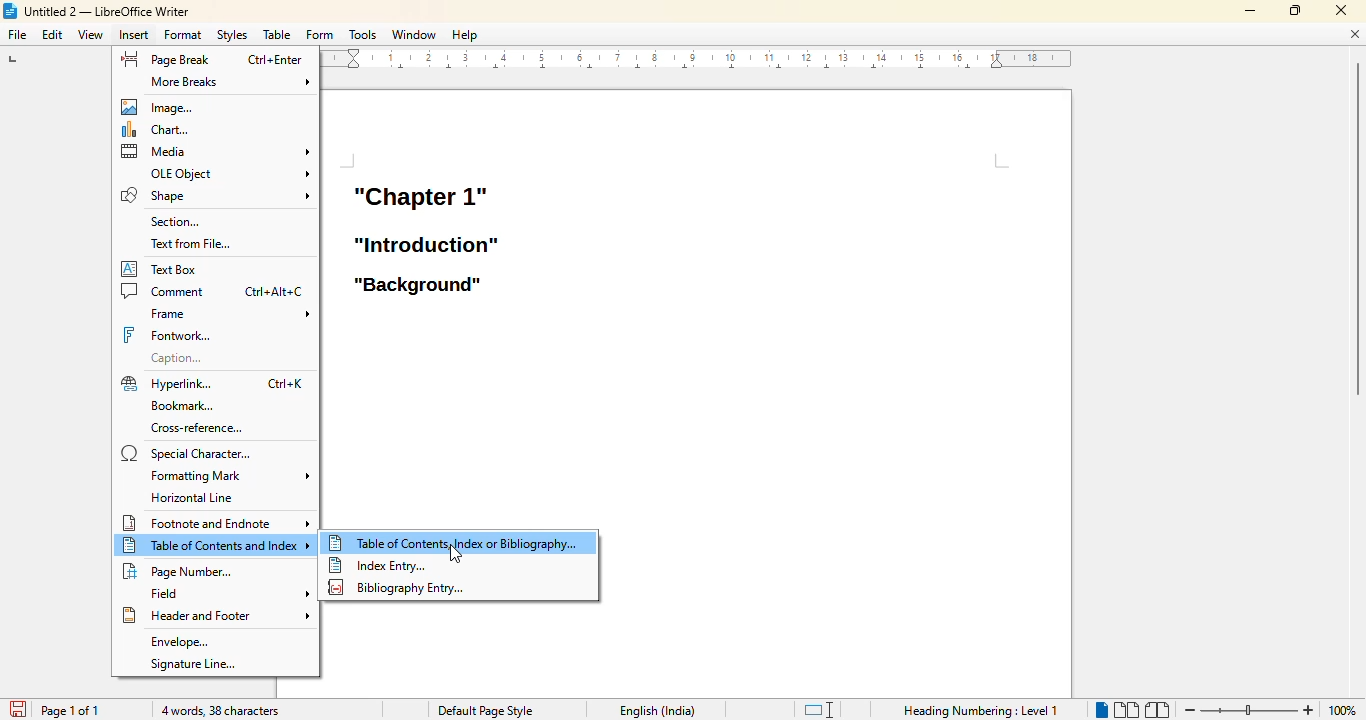  I want to click on heading 3, so click(417, 286).